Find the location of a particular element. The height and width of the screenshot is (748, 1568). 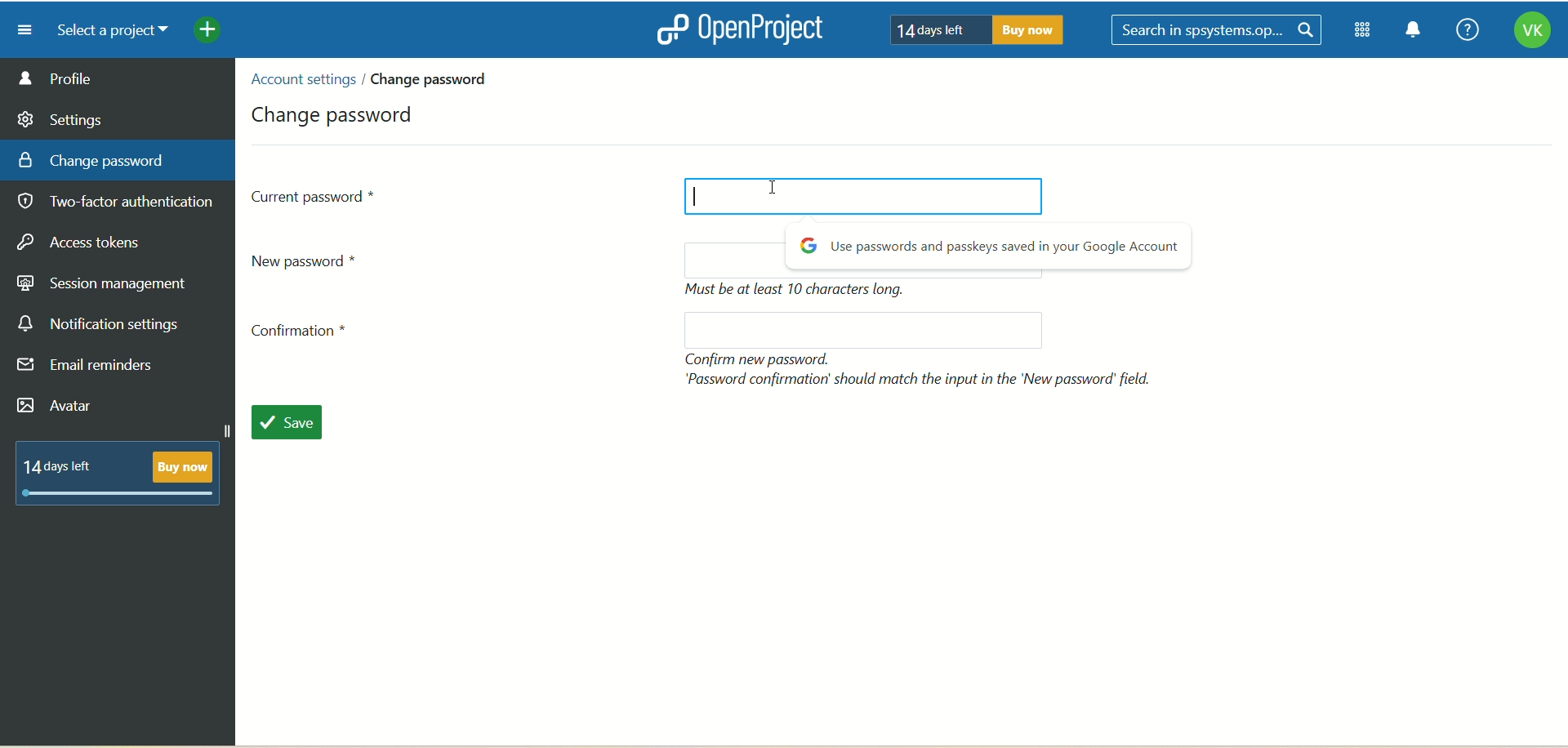

module is located at coordinates (1365, 30).